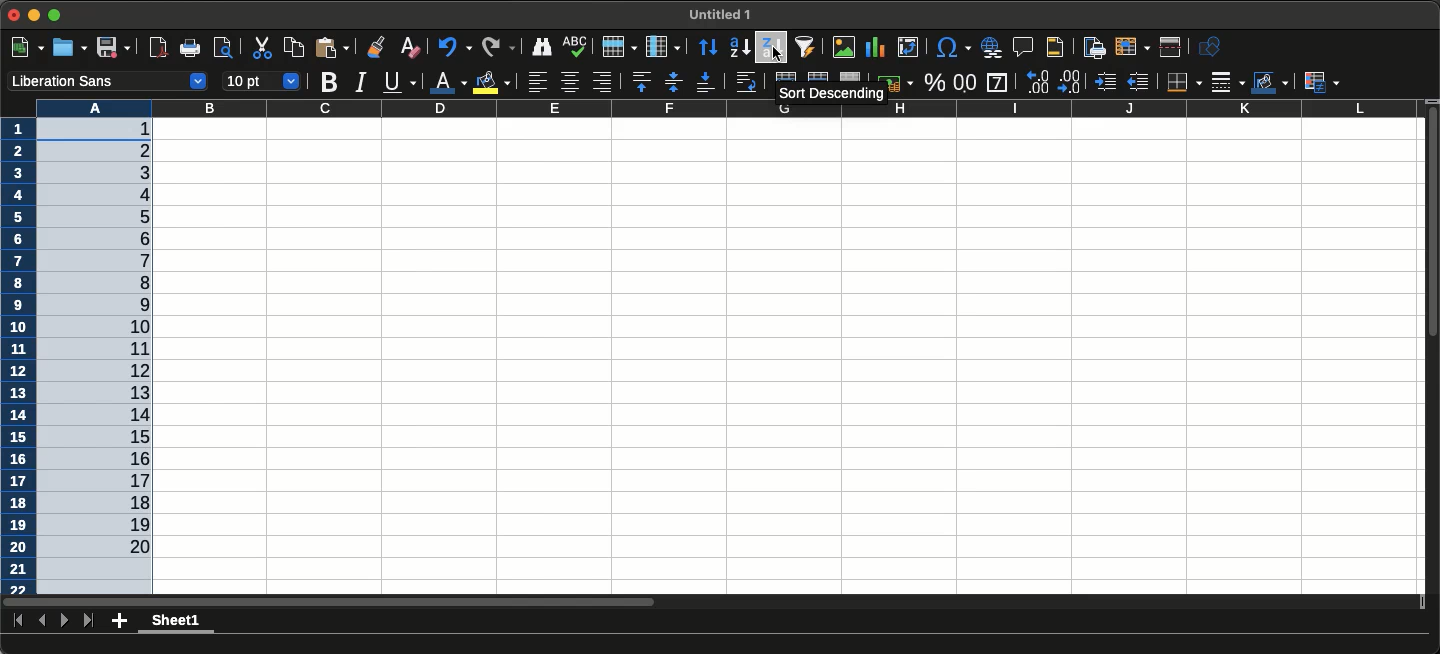  I want to click on Format as percent, so click(934, 82).